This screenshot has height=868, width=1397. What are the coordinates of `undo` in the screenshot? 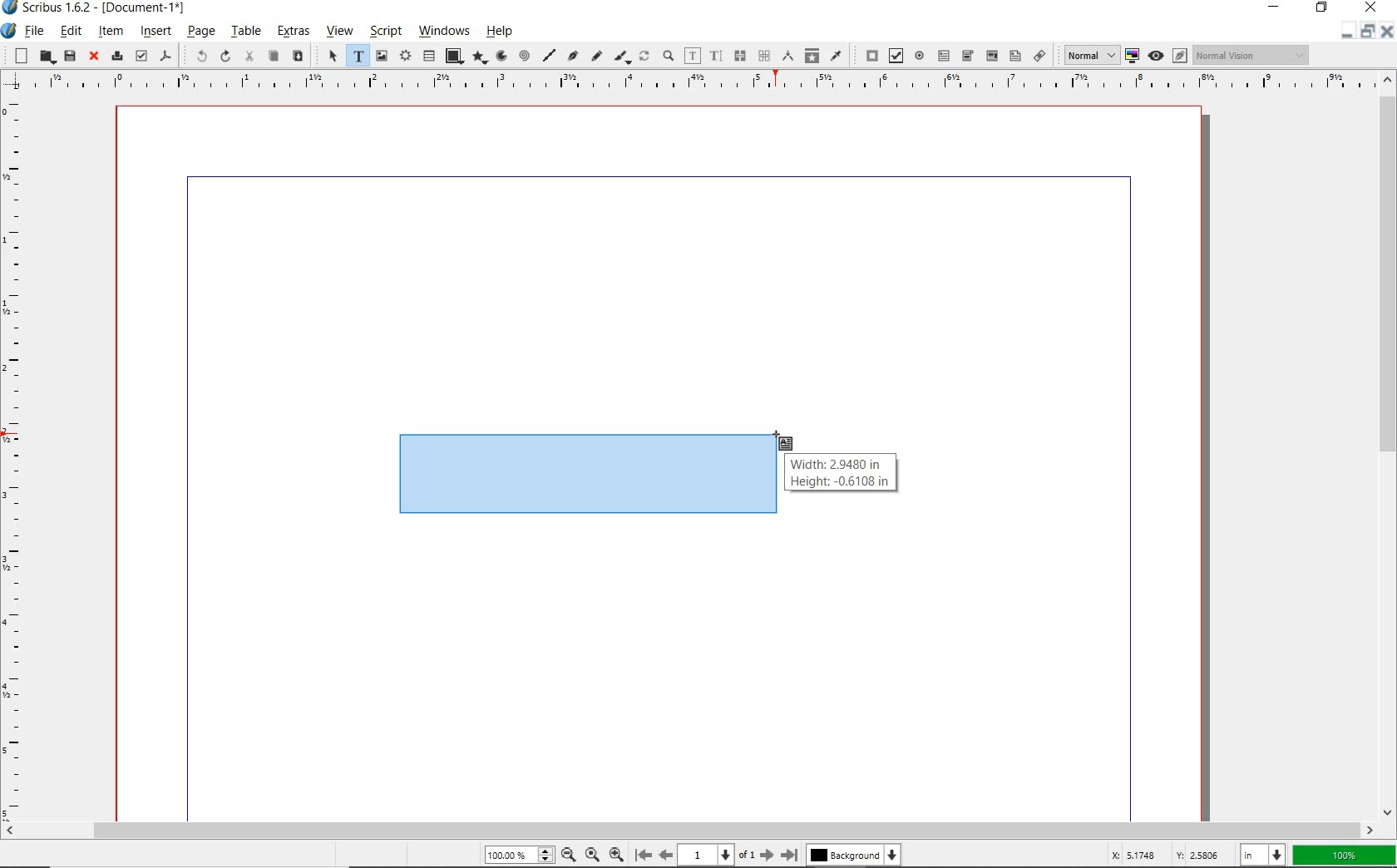 It's located at (195, 55).